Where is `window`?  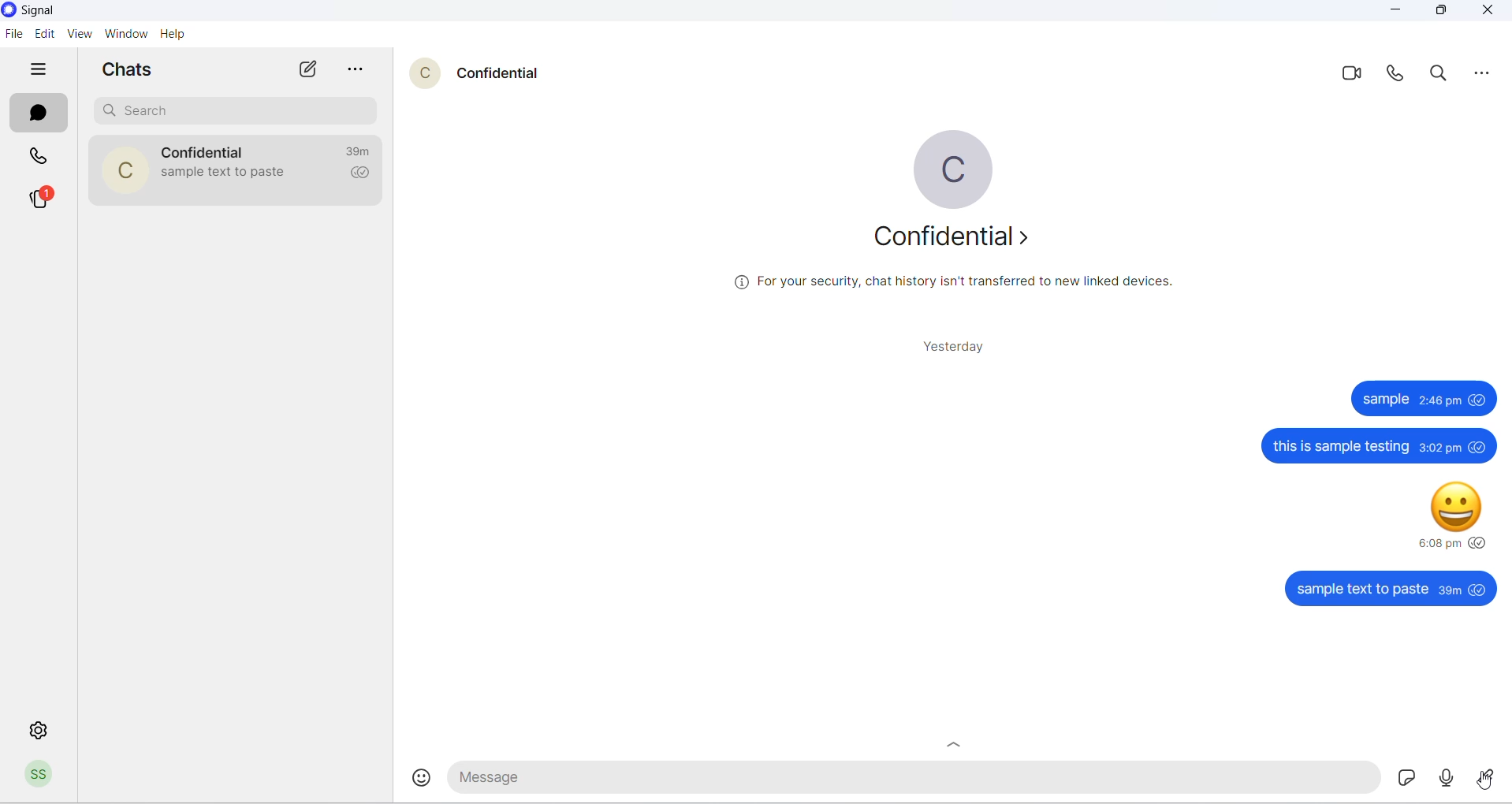
window is located at coordinates (125, 35).